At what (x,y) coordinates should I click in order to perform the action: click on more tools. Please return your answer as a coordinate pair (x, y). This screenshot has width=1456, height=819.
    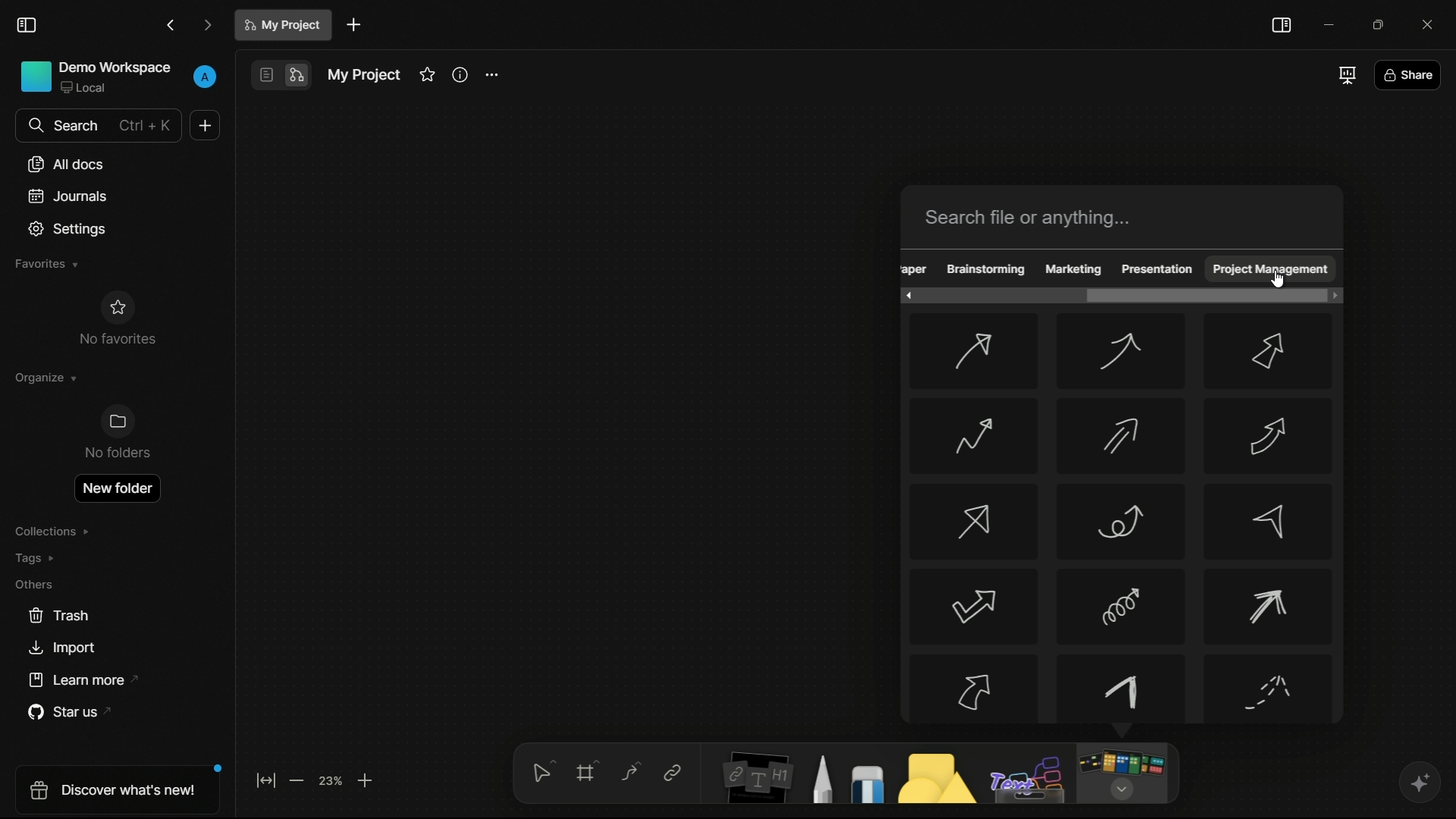
    Looking at the image, I should click on (1121, 774).